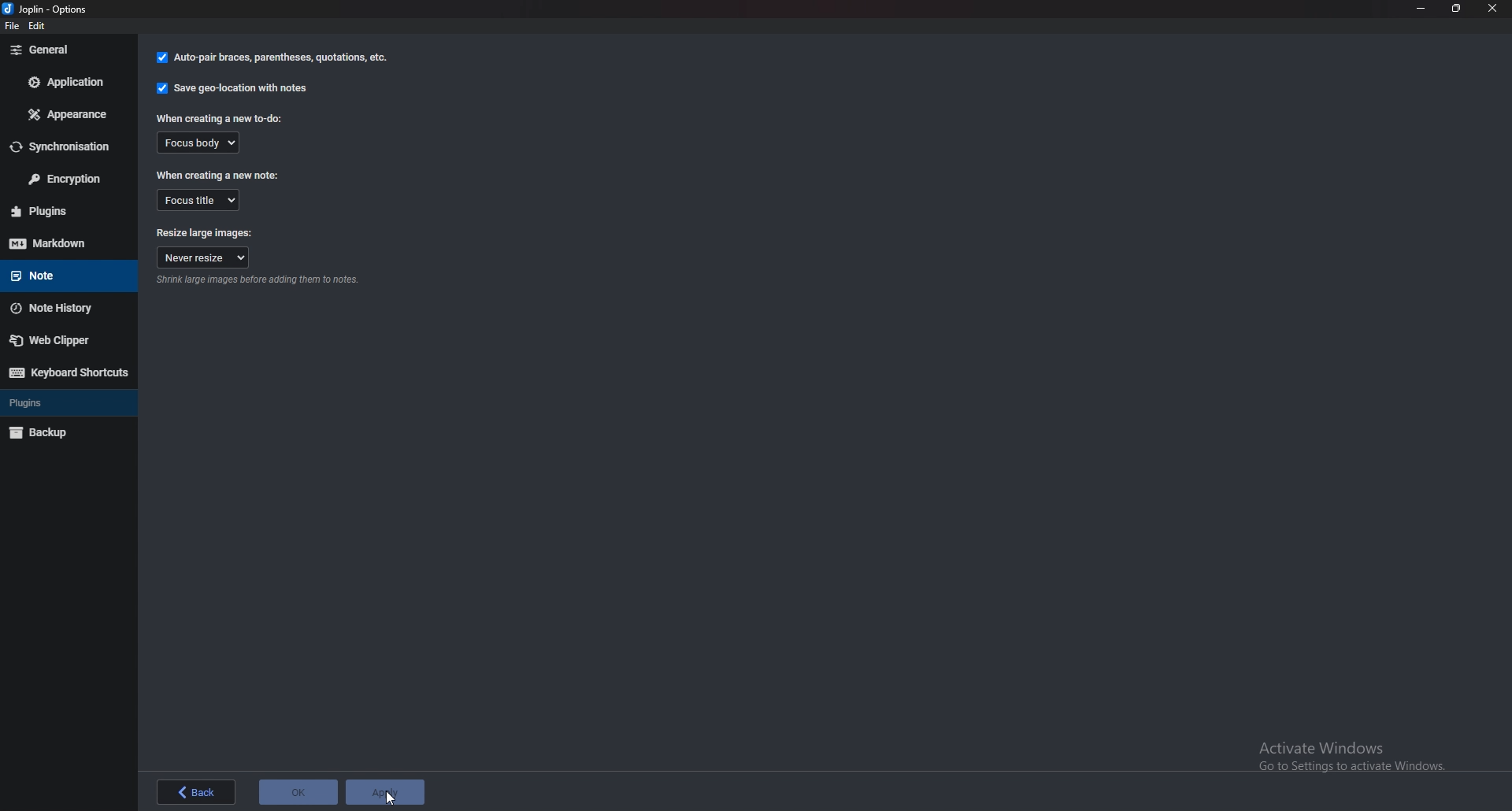  I want to click on When creating a new to do, so click(220, 119).